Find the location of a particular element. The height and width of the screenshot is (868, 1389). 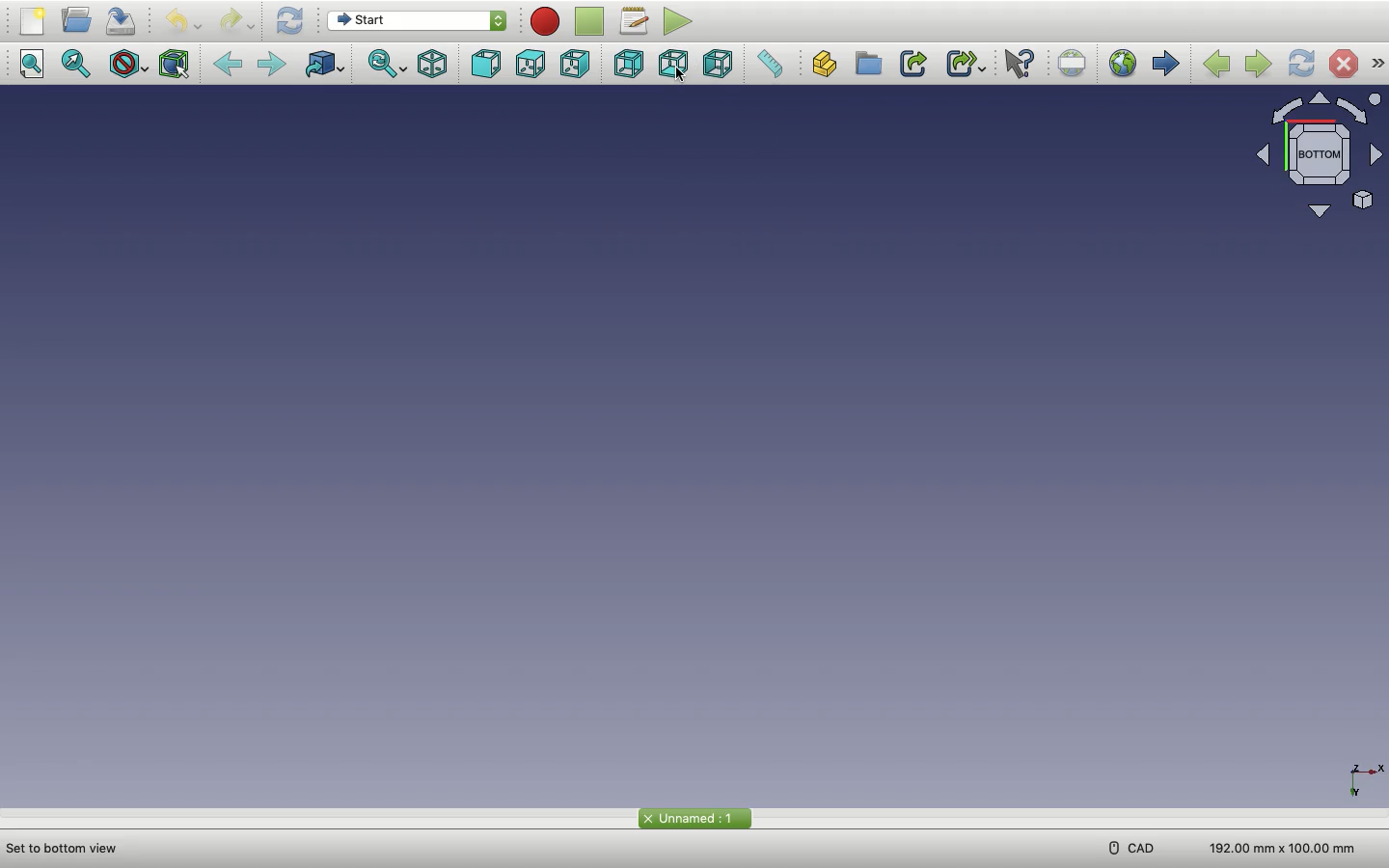

Project name is located at coordinates (694, 818).